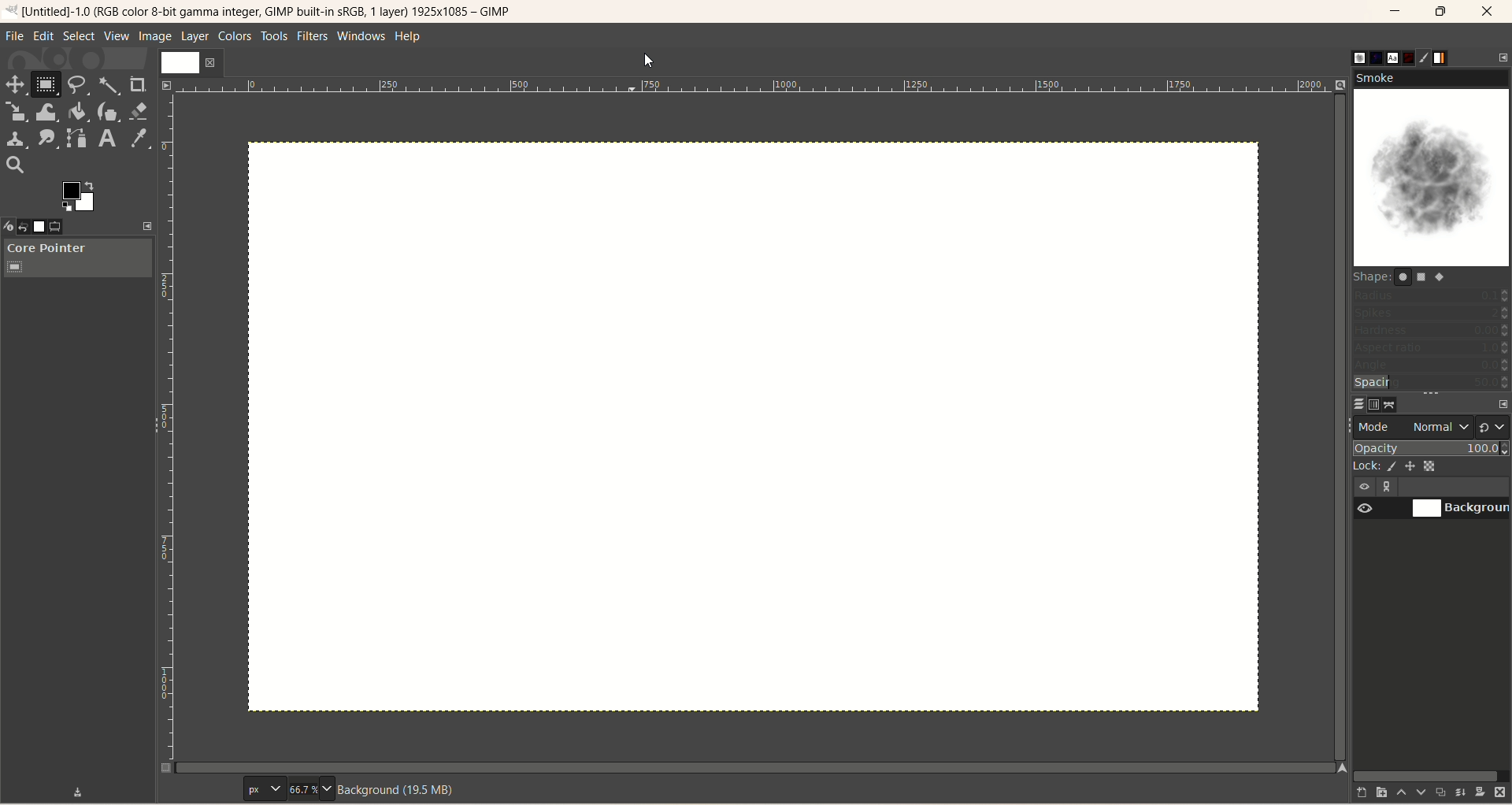 The width and height of the screenshot is (1512, 805). I want to click on pixel, so click(261, 789).